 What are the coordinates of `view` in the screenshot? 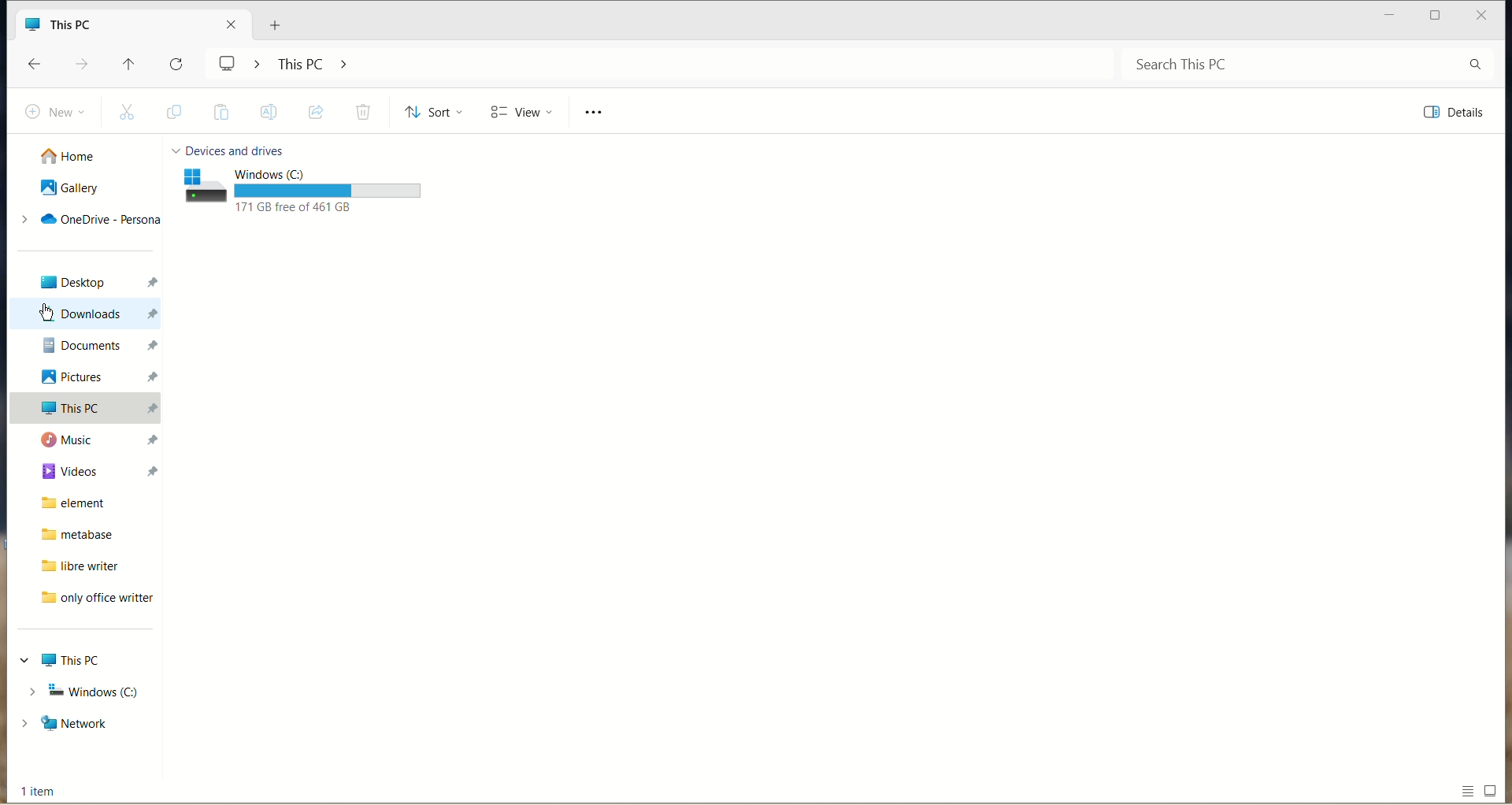 It's located at (520, 113).